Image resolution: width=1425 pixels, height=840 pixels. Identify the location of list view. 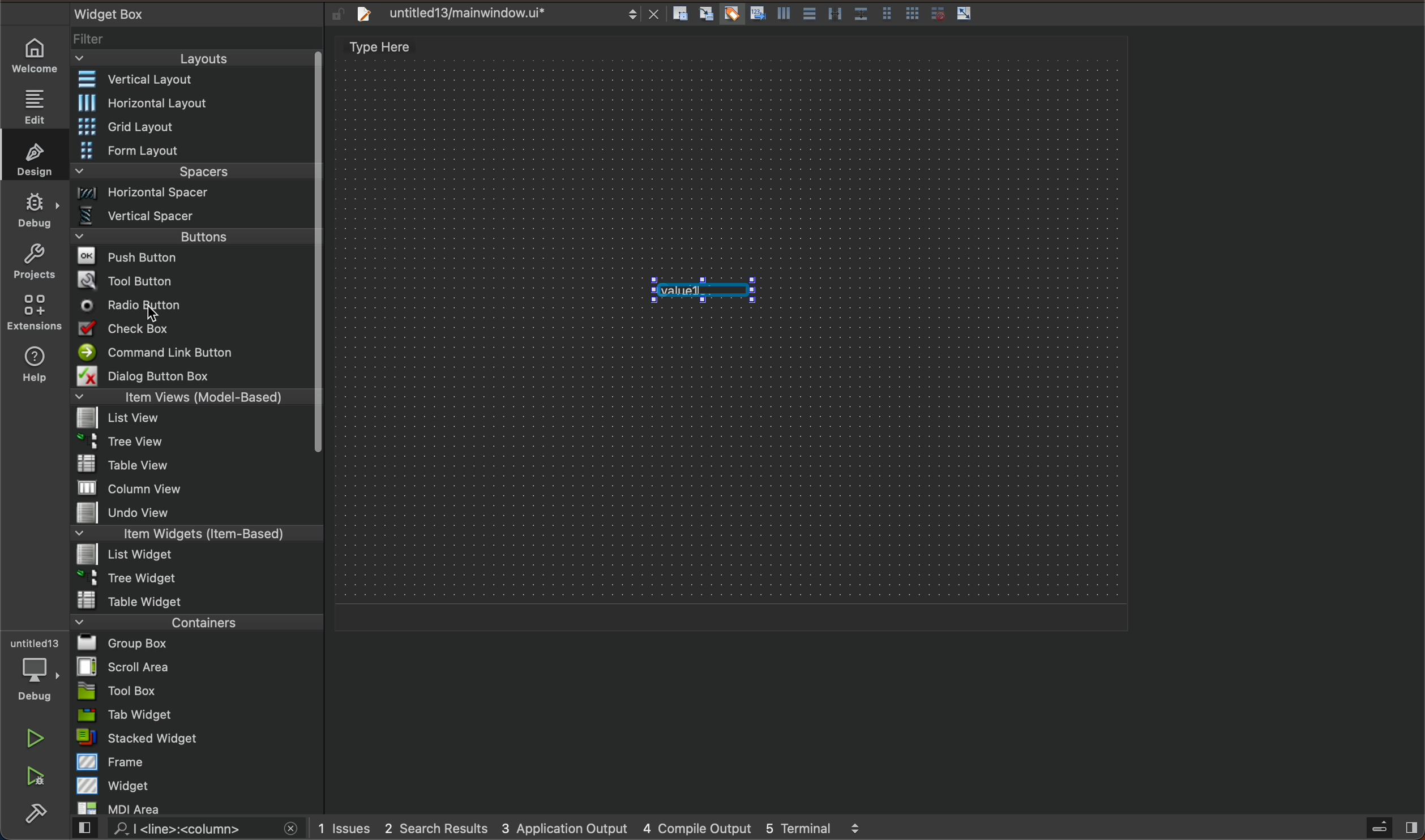
(190, 422).